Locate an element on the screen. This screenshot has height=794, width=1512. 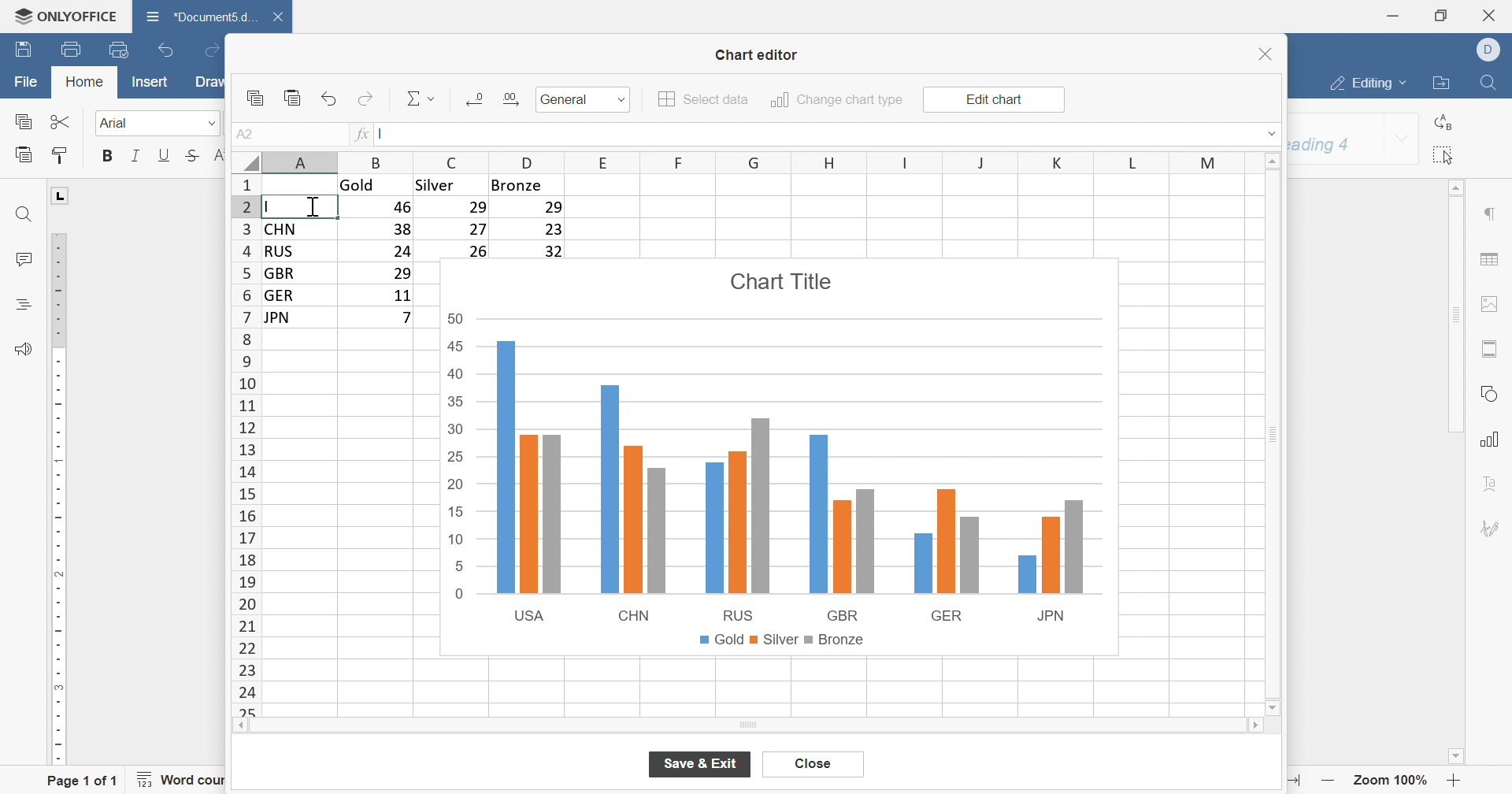
paragraph settings is located at coordinates (1489, 213).